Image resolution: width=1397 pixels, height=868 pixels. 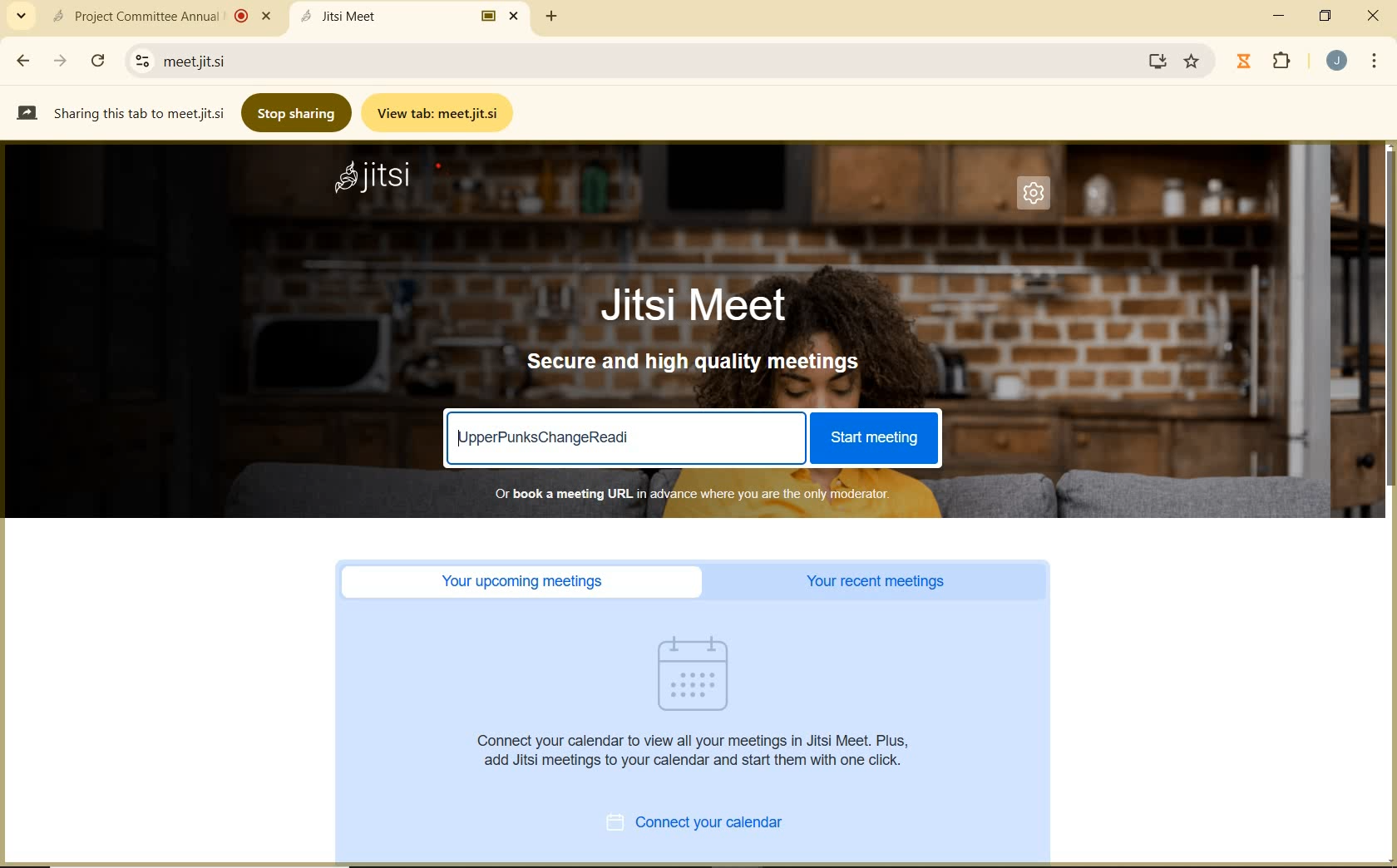 What do you see at coordinates (552, 16) in the screenshot?
I see `ADD NEW TAB` at bounding box center [552, 16].